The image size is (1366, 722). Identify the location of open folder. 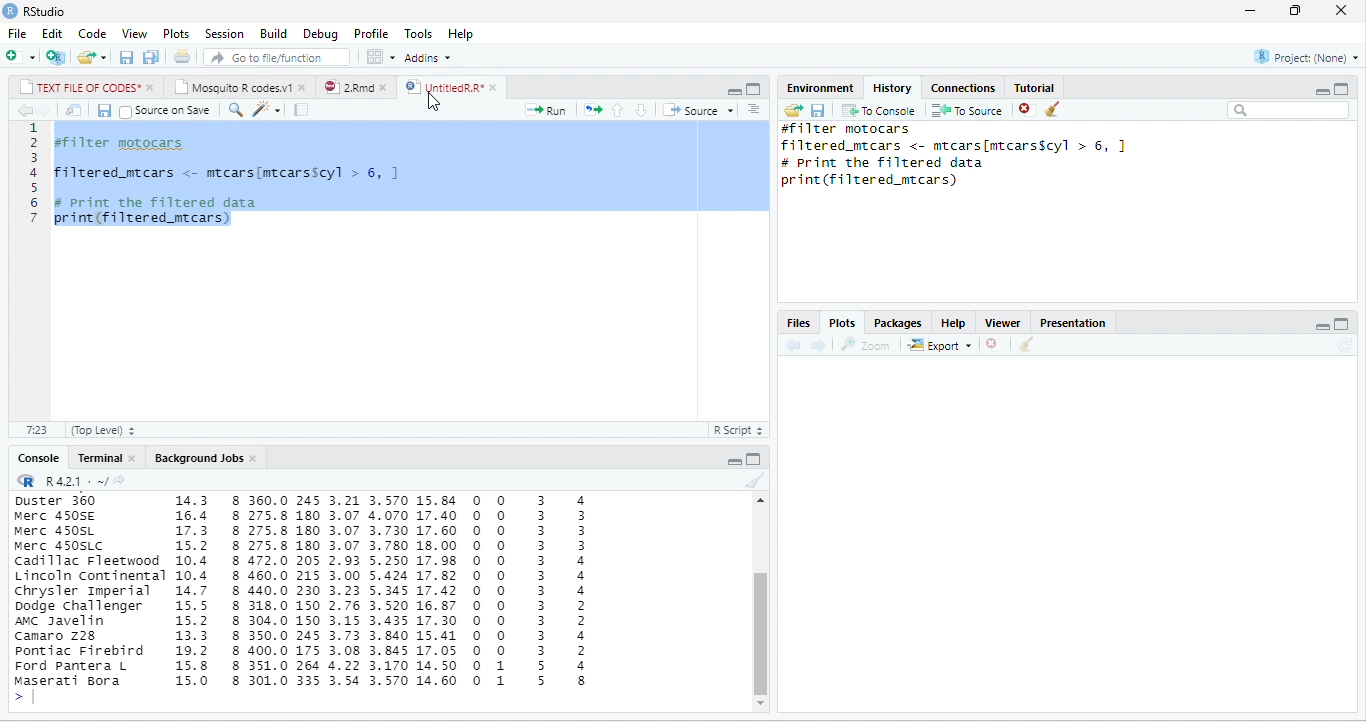
(793, 110).